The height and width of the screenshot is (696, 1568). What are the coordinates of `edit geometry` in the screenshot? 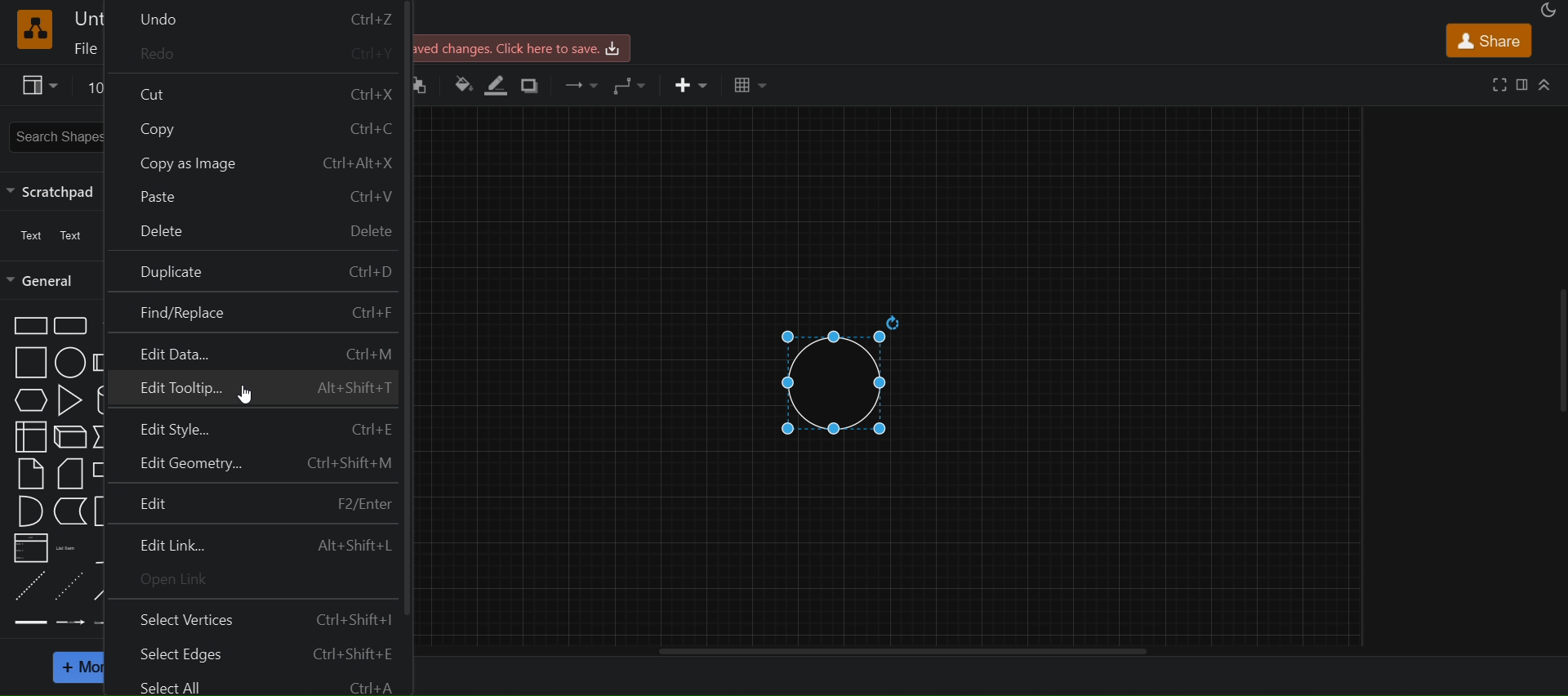 It's located at (255, 462).